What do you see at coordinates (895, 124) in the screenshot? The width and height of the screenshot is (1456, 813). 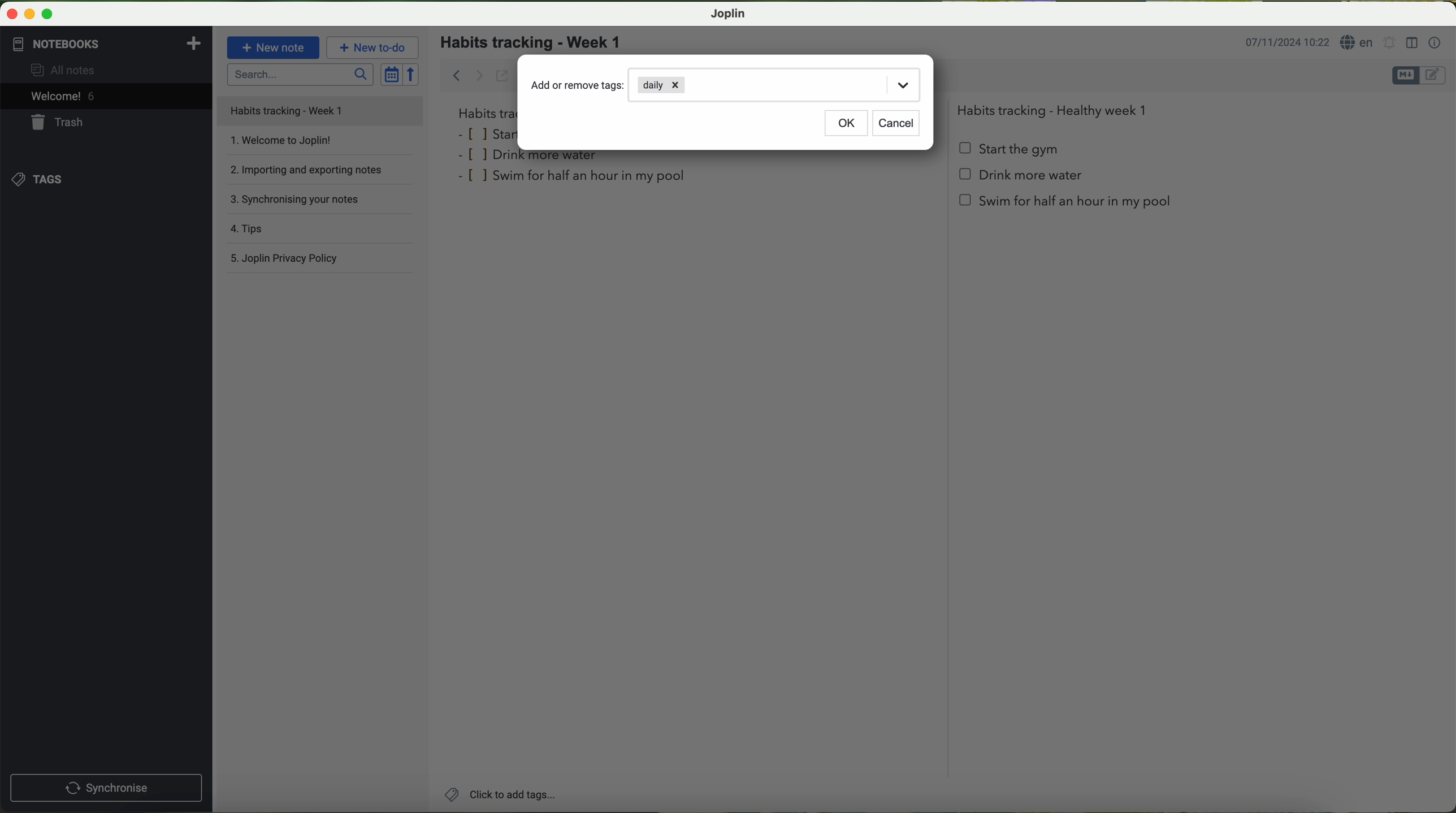 I see `cancel` at bounding box center [895, 124].